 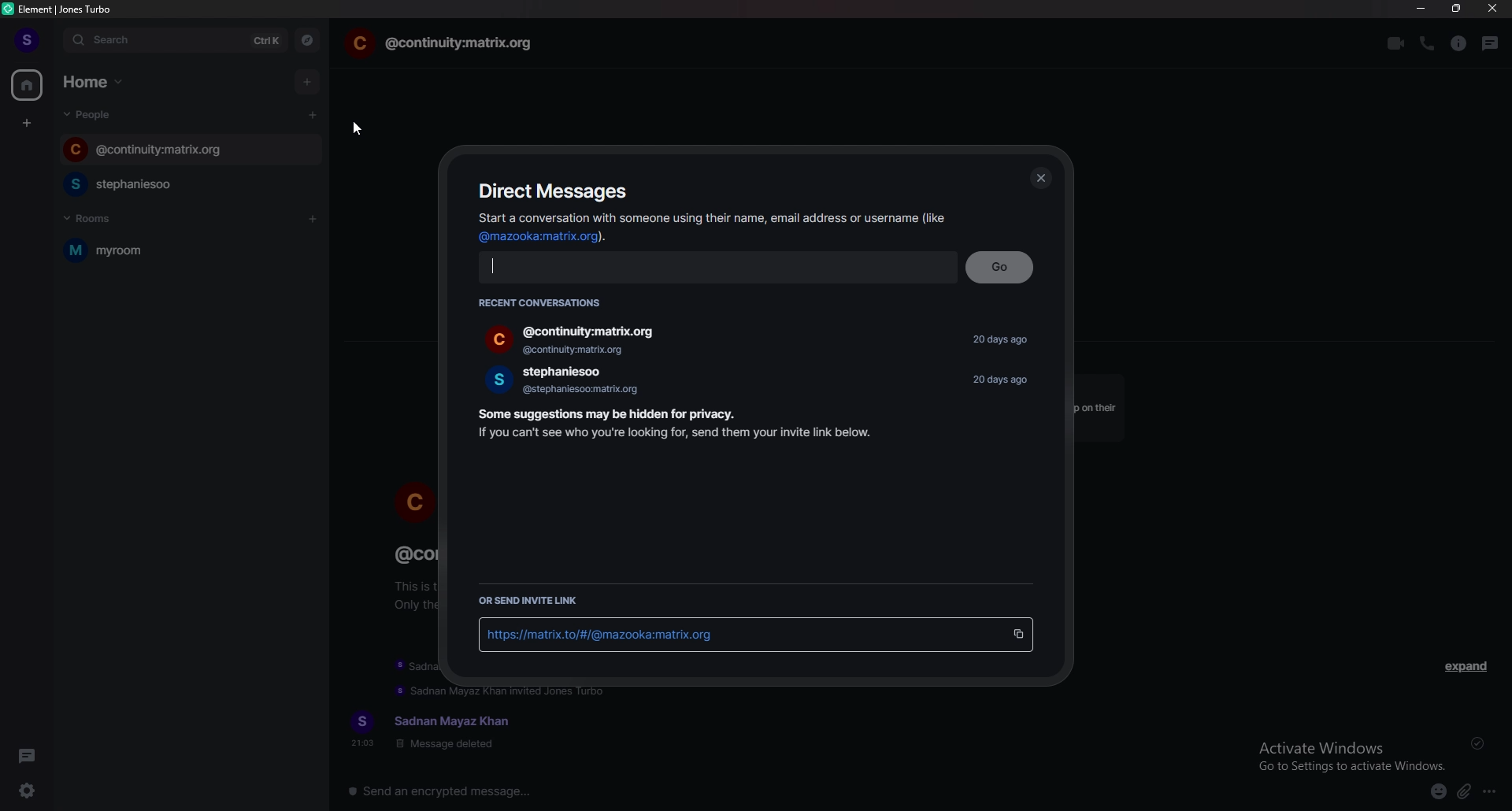 I want to click on myroom, so click(x=153, y=250).